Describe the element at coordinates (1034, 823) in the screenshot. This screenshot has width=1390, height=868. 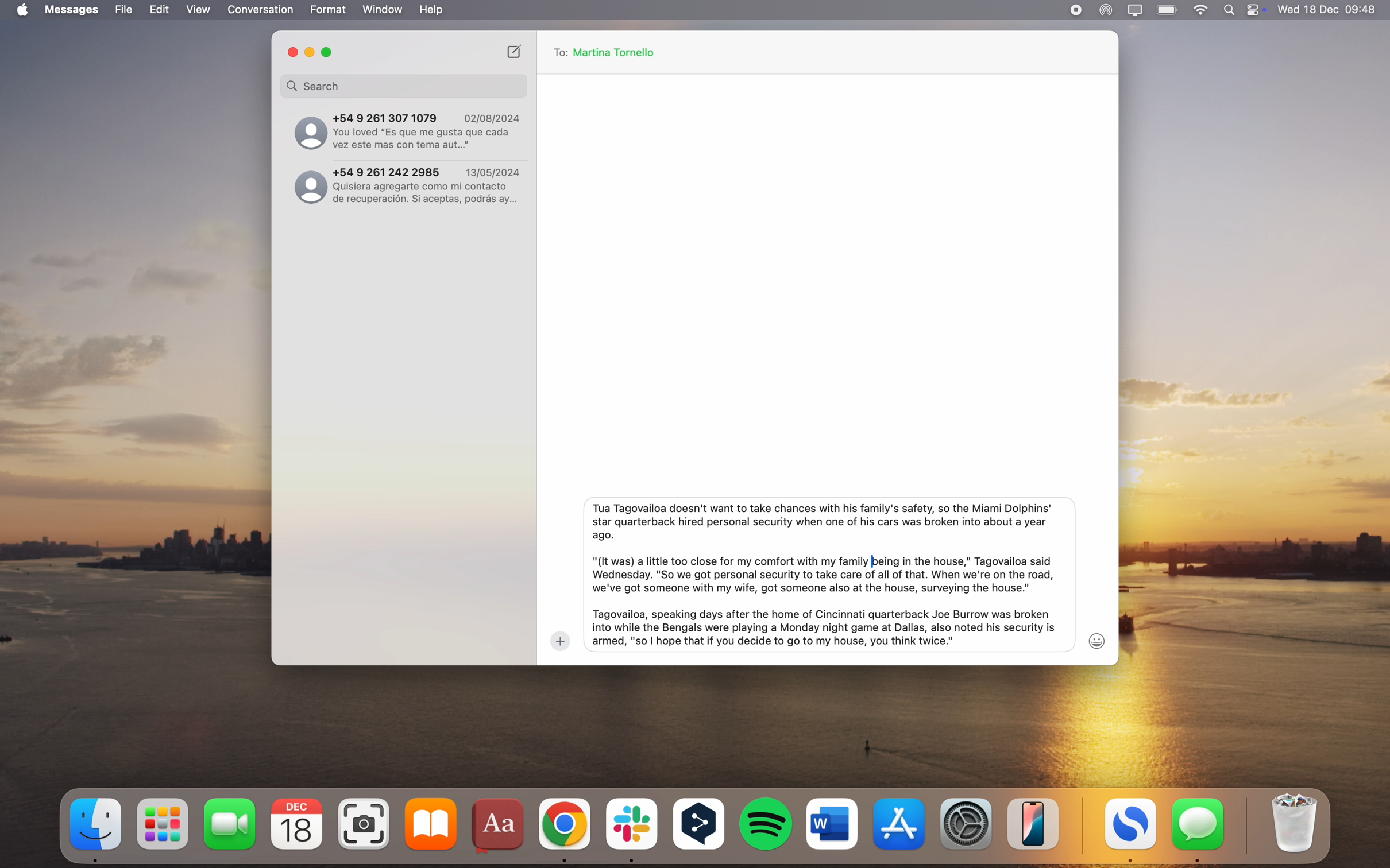
I see `iphone mirroring` at that location.